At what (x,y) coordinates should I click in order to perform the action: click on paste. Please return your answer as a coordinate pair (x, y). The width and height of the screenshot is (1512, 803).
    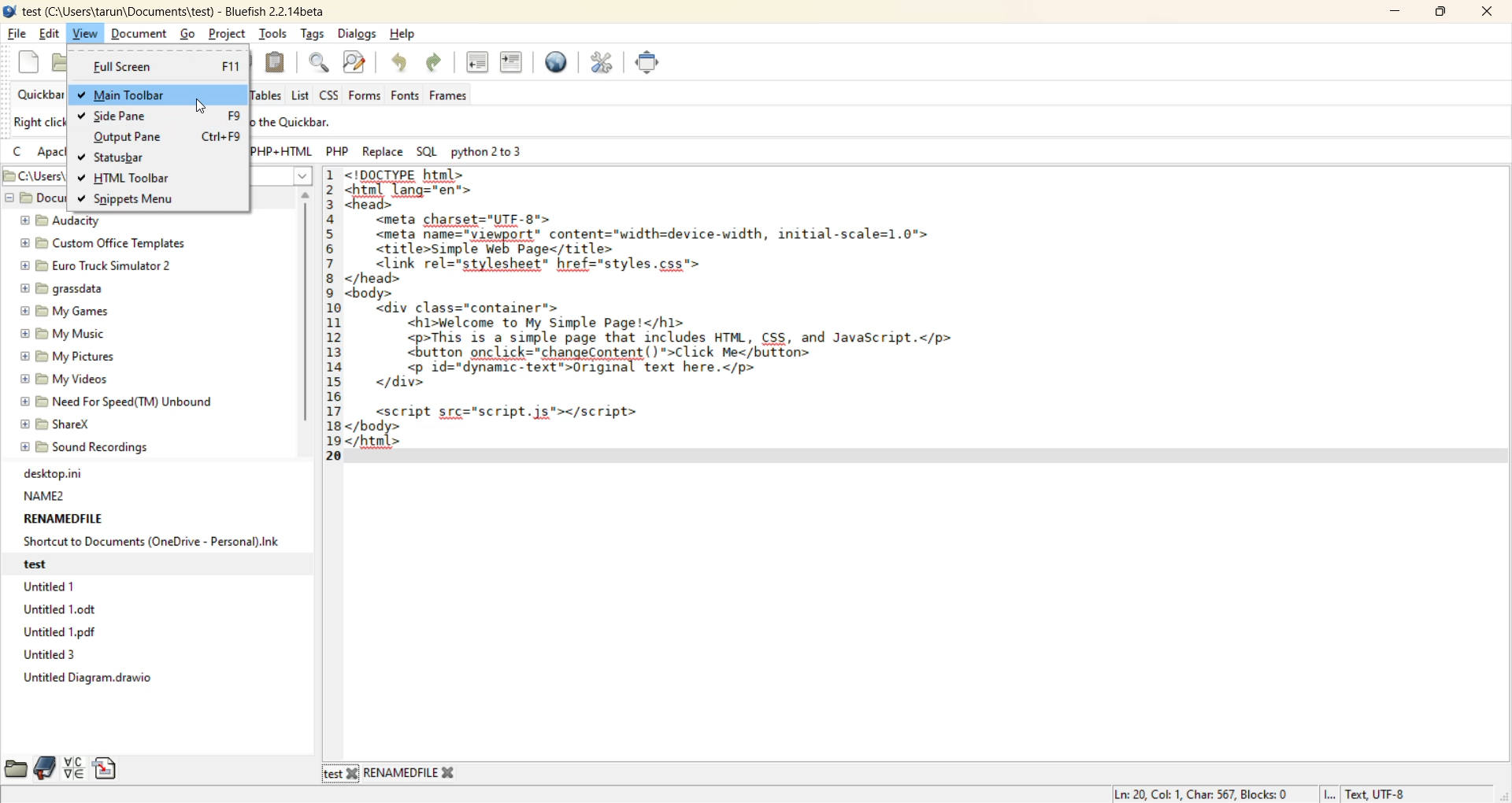
    Looking at the image, I should click on (275, 63).